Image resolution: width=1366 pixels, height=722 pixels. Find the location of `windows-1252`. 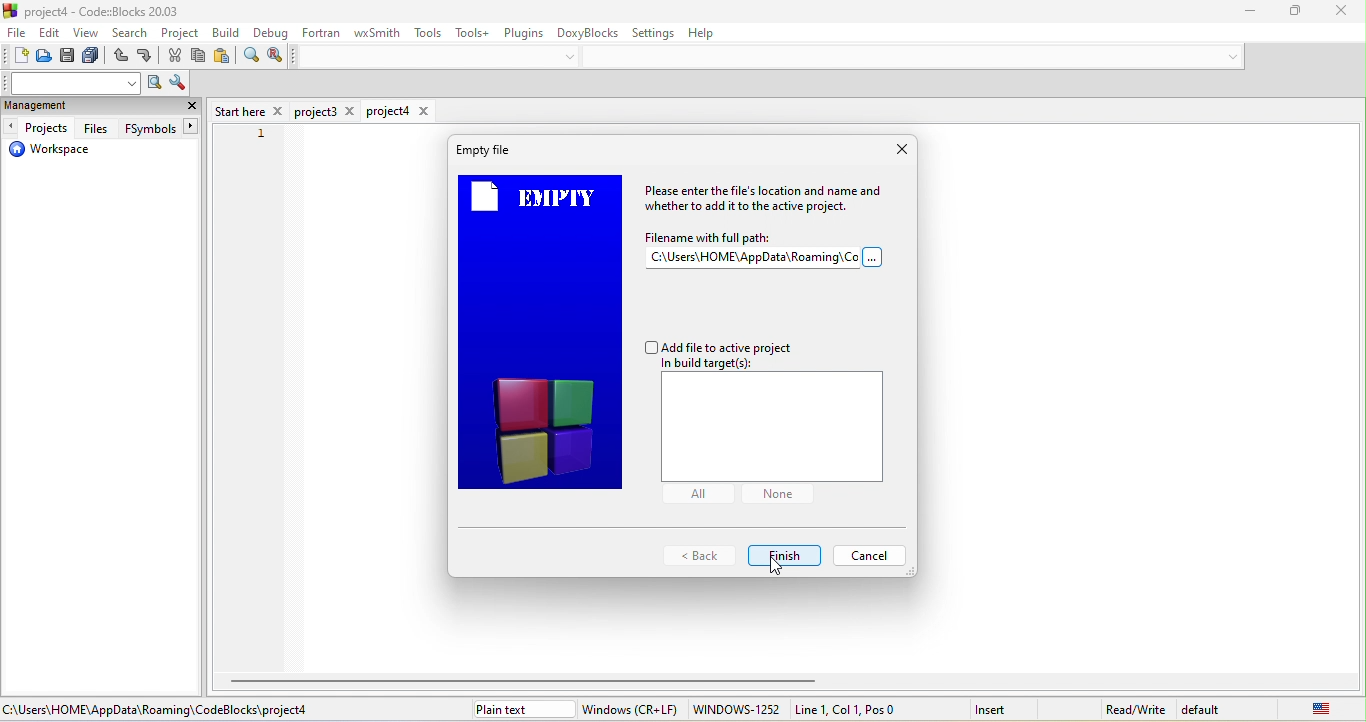

windows-1252 is located at coordinates (736, 710).